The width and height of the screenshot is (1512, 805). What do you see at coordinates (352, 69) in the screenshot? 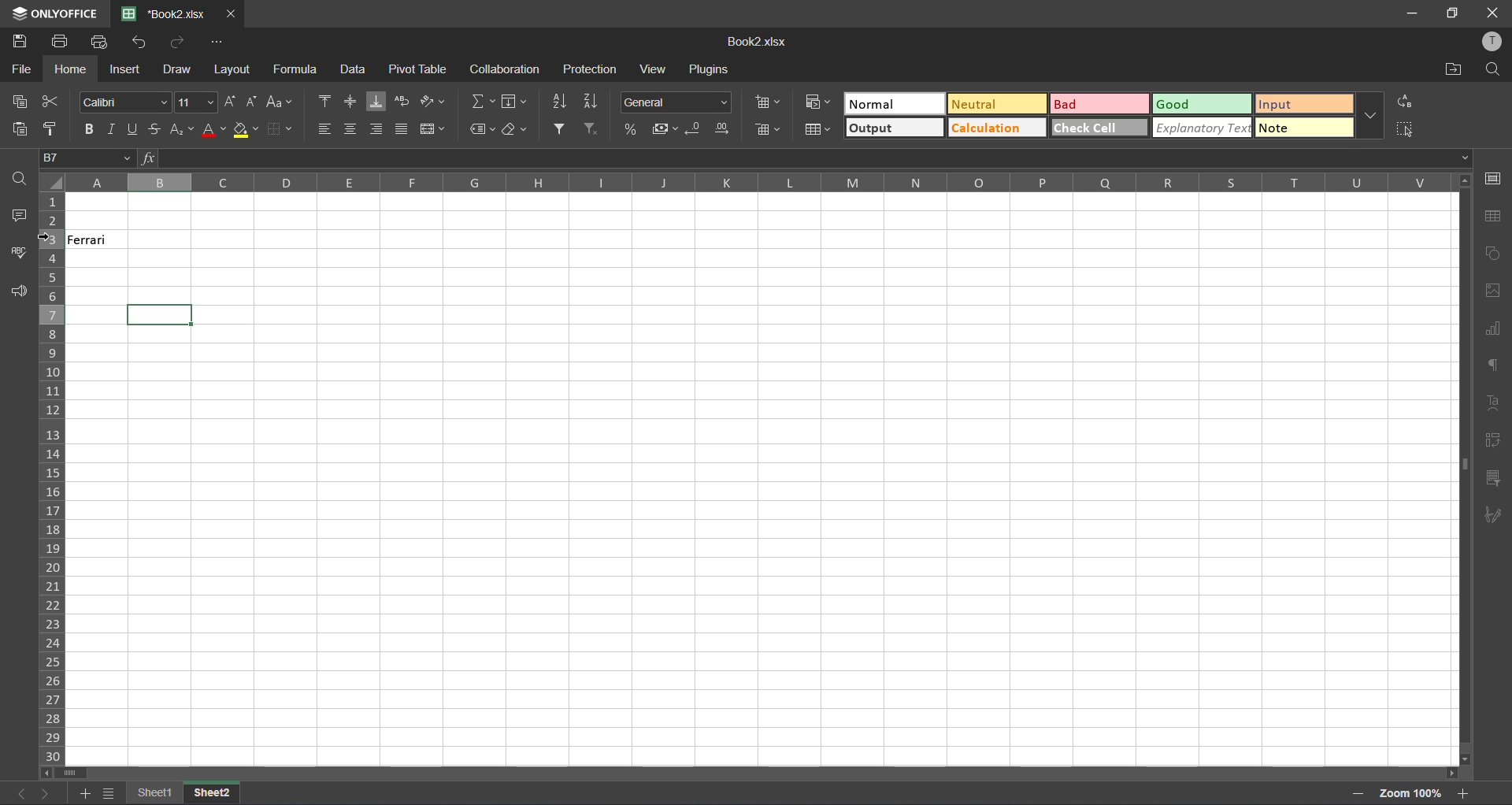
I see `data` at bounding box center [352, 69].